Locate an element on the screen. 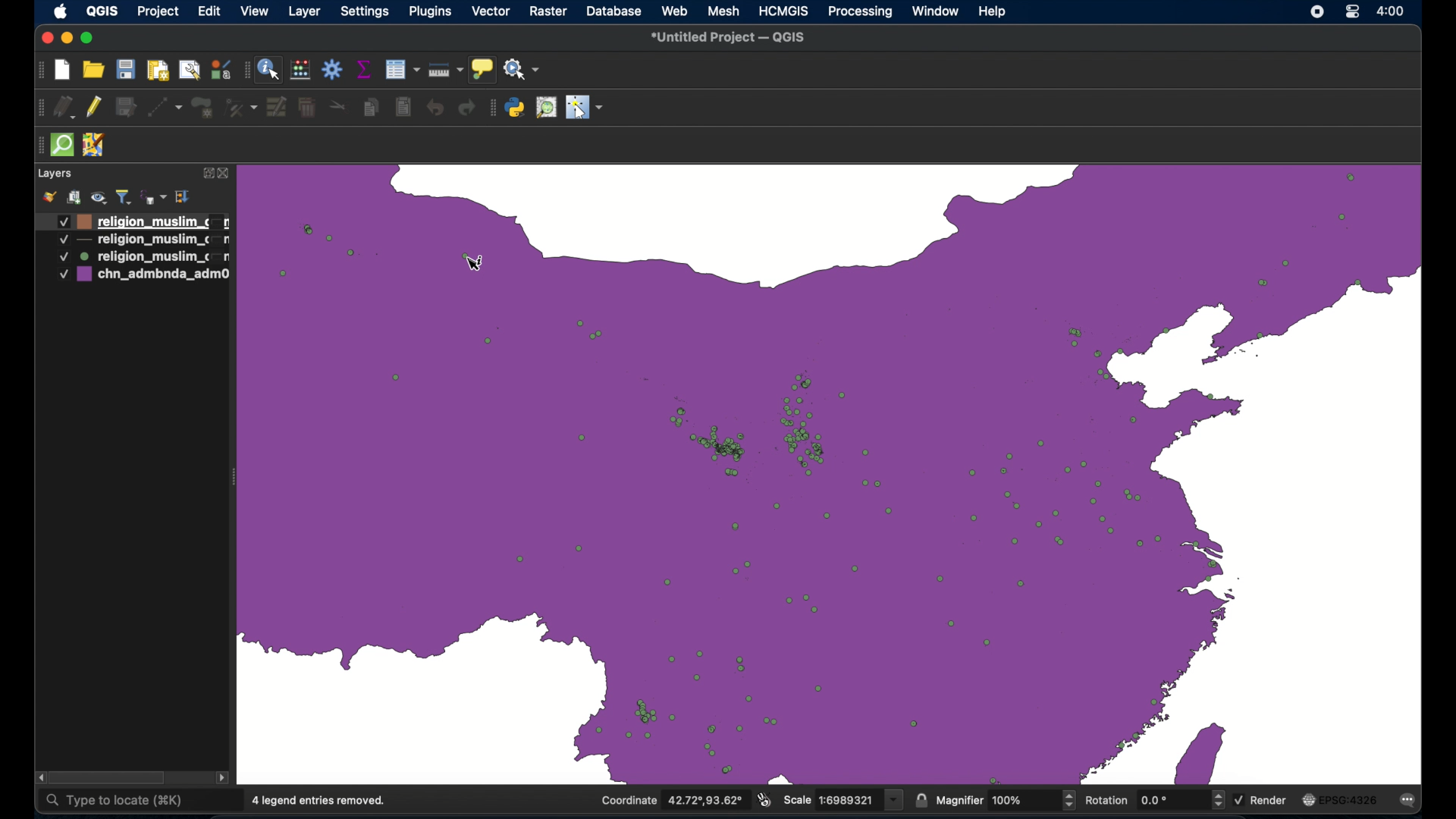  copy features is located at coordinates (370, 107).